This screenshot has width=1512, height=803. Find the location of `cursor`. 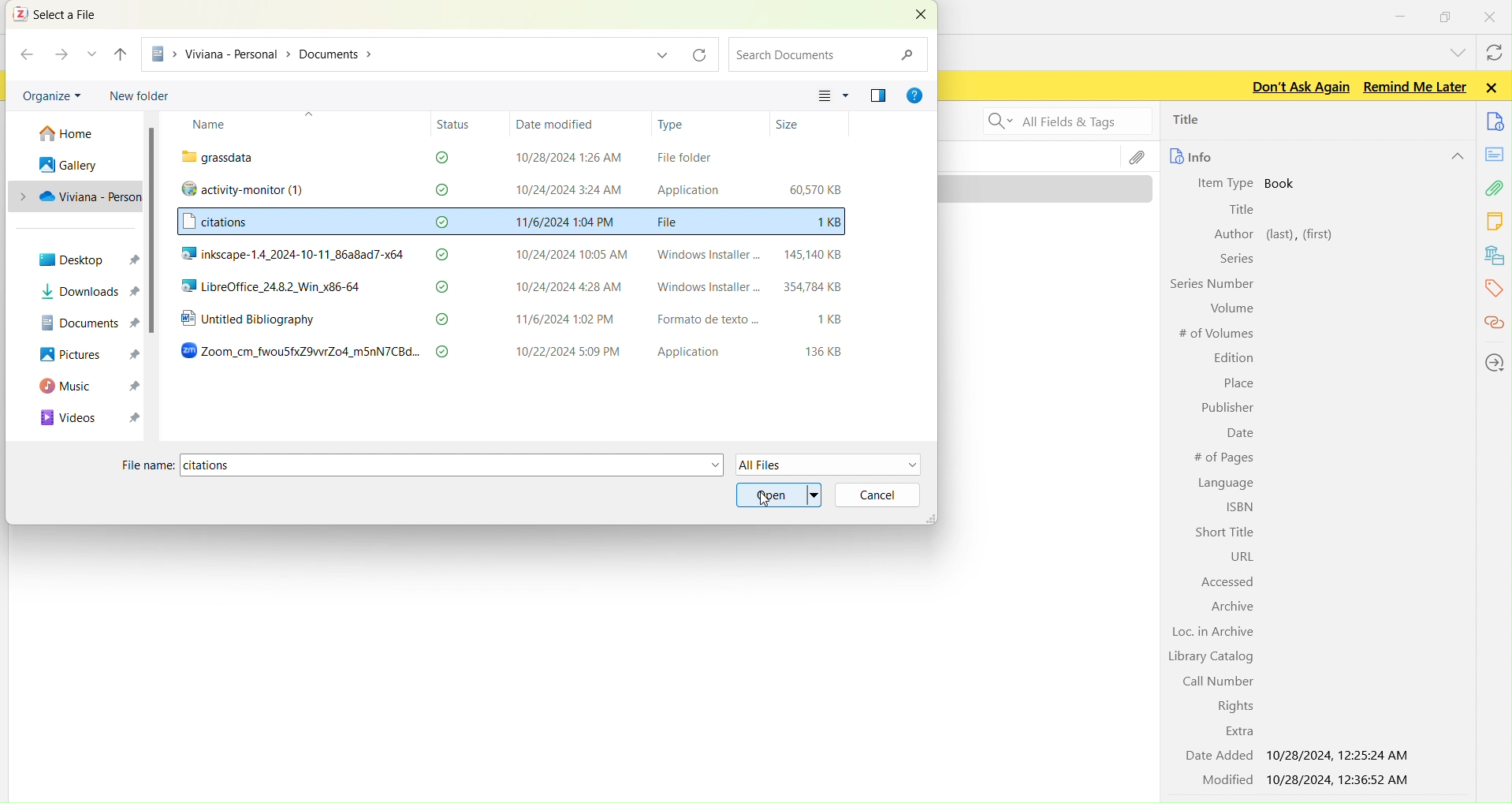

cursor is located at coordinates (762, 502).